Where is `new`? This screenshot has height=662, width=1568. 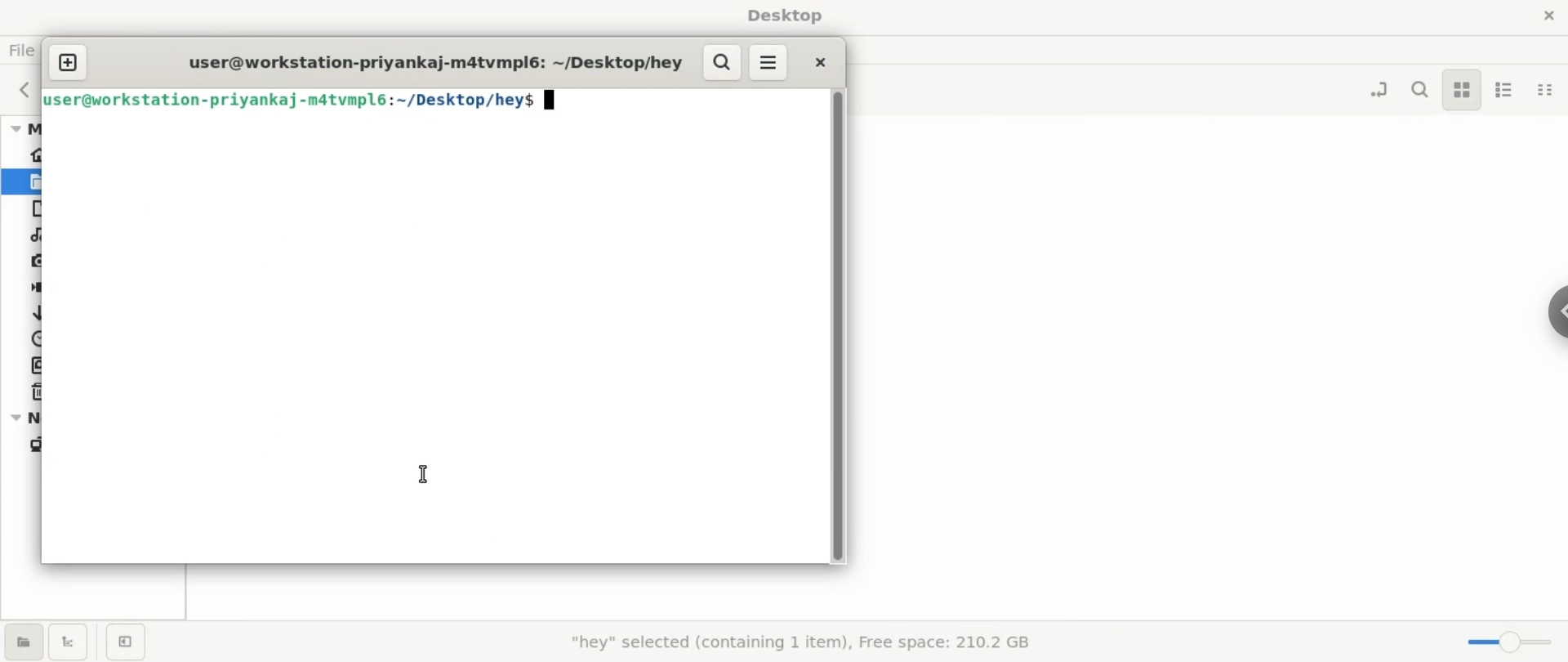 new is located at coordinates (69, 61).